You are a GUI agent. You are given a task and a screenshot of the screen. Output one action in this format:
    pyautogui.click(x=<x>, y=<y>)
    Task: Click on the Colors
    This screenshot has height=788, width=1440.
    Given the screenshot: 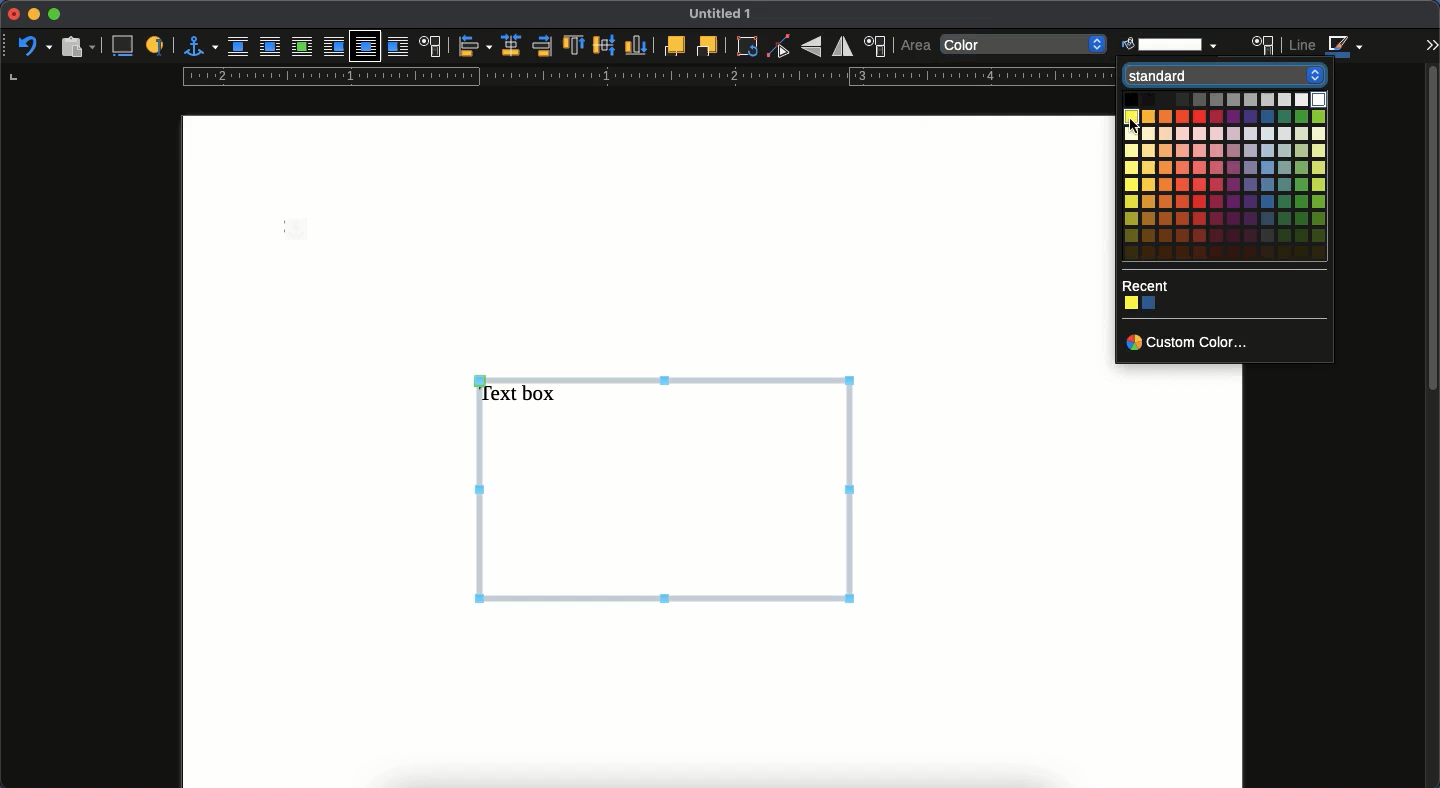 What is the action you would take?
    pyautogui.click(x=1143, y=305)
    